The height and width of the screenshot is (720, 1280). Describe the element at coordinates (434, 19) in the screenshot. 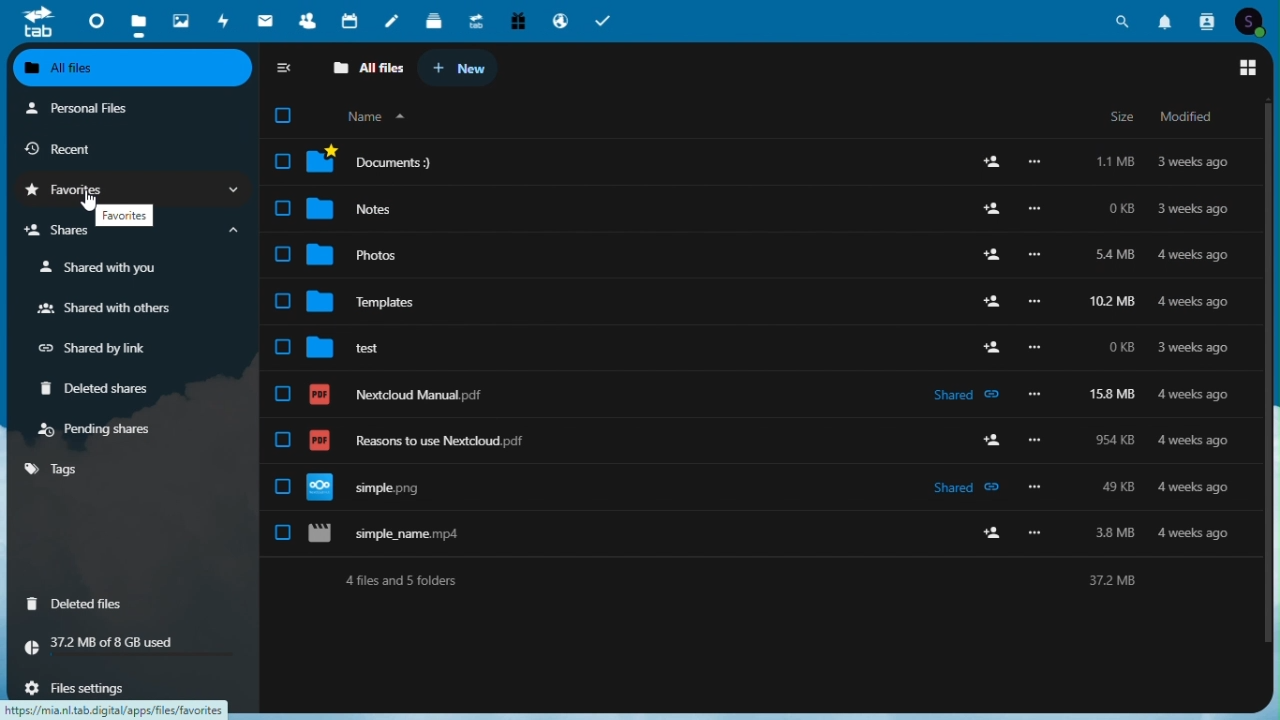

I see `deck` at that location.